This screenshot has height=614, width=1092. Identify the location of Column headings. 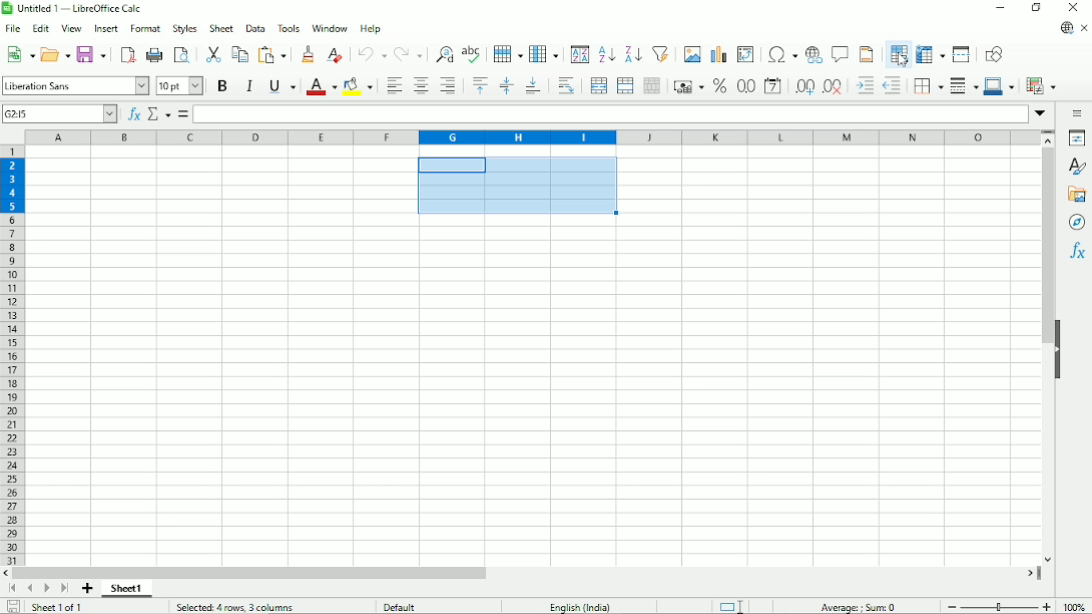
(532, 137).